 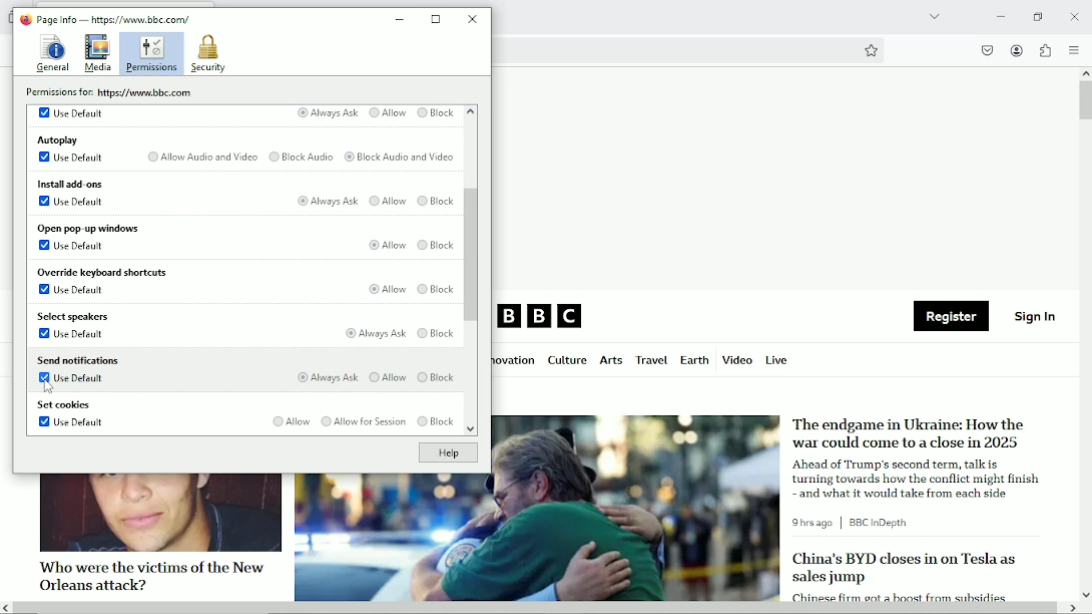 I want to click on Horizontal scrollbar, so click(x=537, y=609).